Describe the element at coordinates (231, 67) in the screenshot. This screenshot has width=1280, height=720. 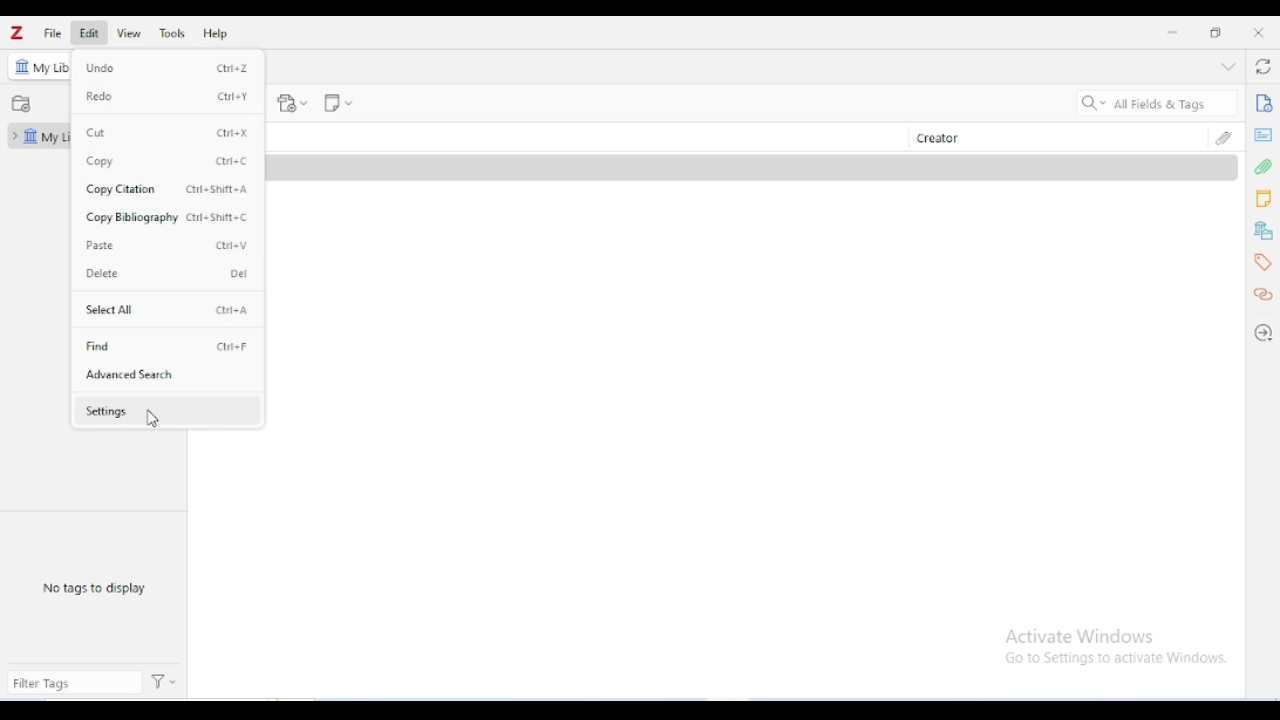
I see `ctrl+Z` at that location.